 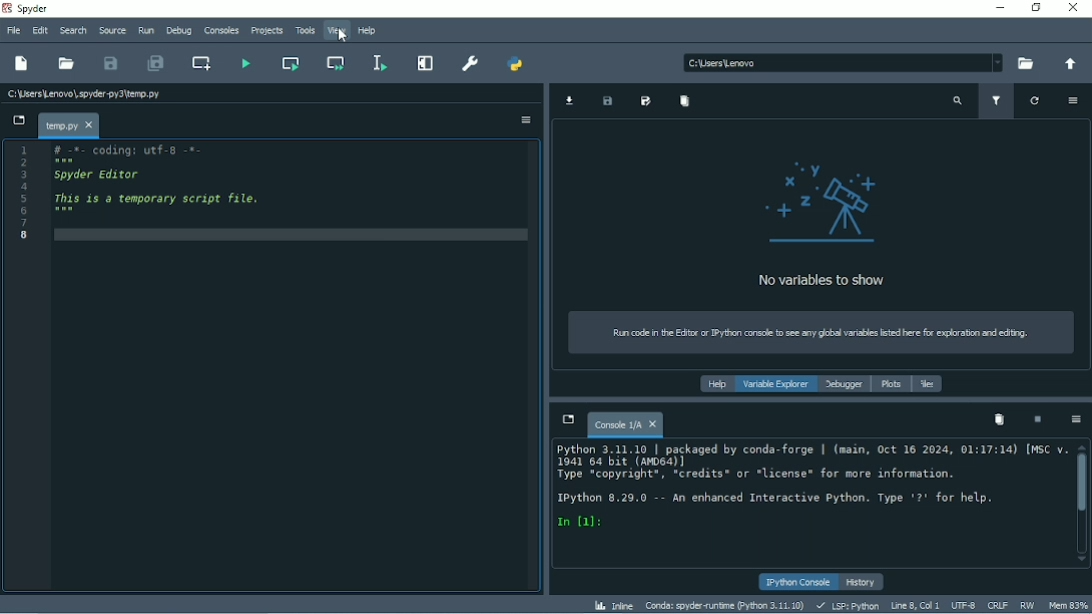 What do you see at coordinates (74, 30) in the screenshot?
I see `Search` at bounding box center [74, 30].